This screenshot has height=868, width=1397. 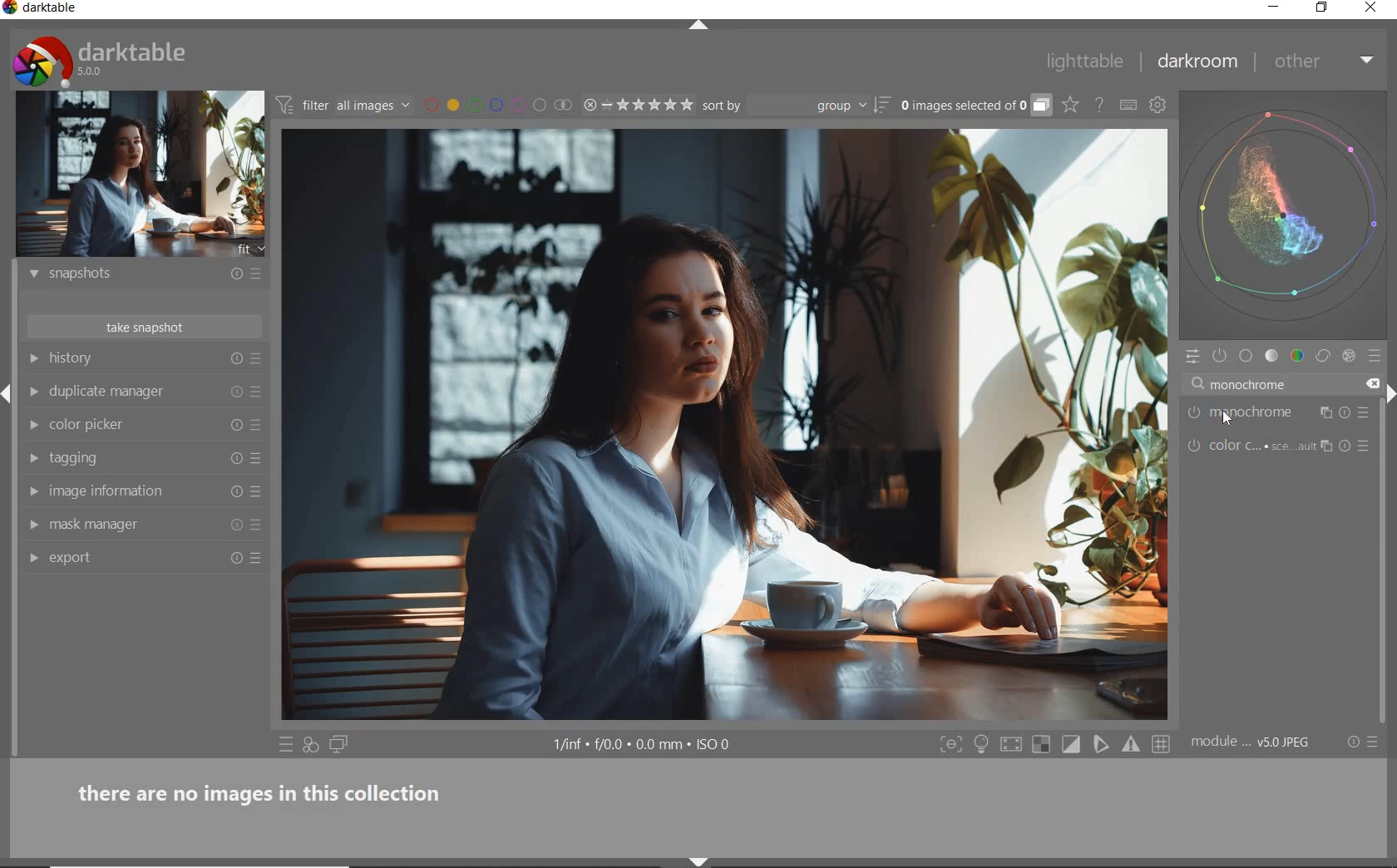 I want to click on module...V5.0 JPEG, so click(x=1251, y=742).